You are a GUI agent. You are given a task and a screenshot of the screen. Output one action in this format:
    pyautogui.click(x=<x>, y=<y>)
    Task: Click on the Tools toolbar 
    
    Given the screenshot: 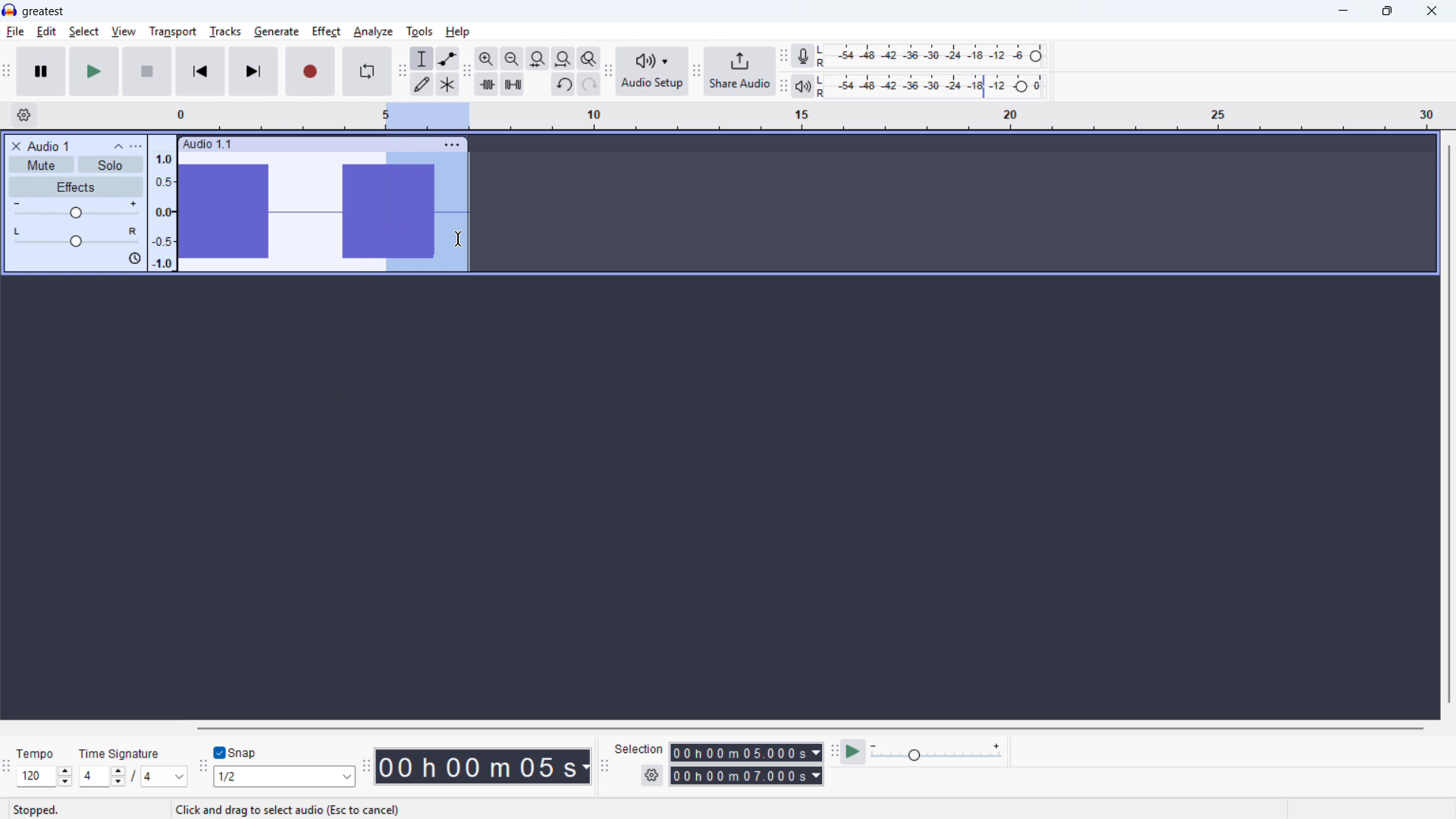 What is the action you would take?
    pyautogui.click(x=403, y=71)
    